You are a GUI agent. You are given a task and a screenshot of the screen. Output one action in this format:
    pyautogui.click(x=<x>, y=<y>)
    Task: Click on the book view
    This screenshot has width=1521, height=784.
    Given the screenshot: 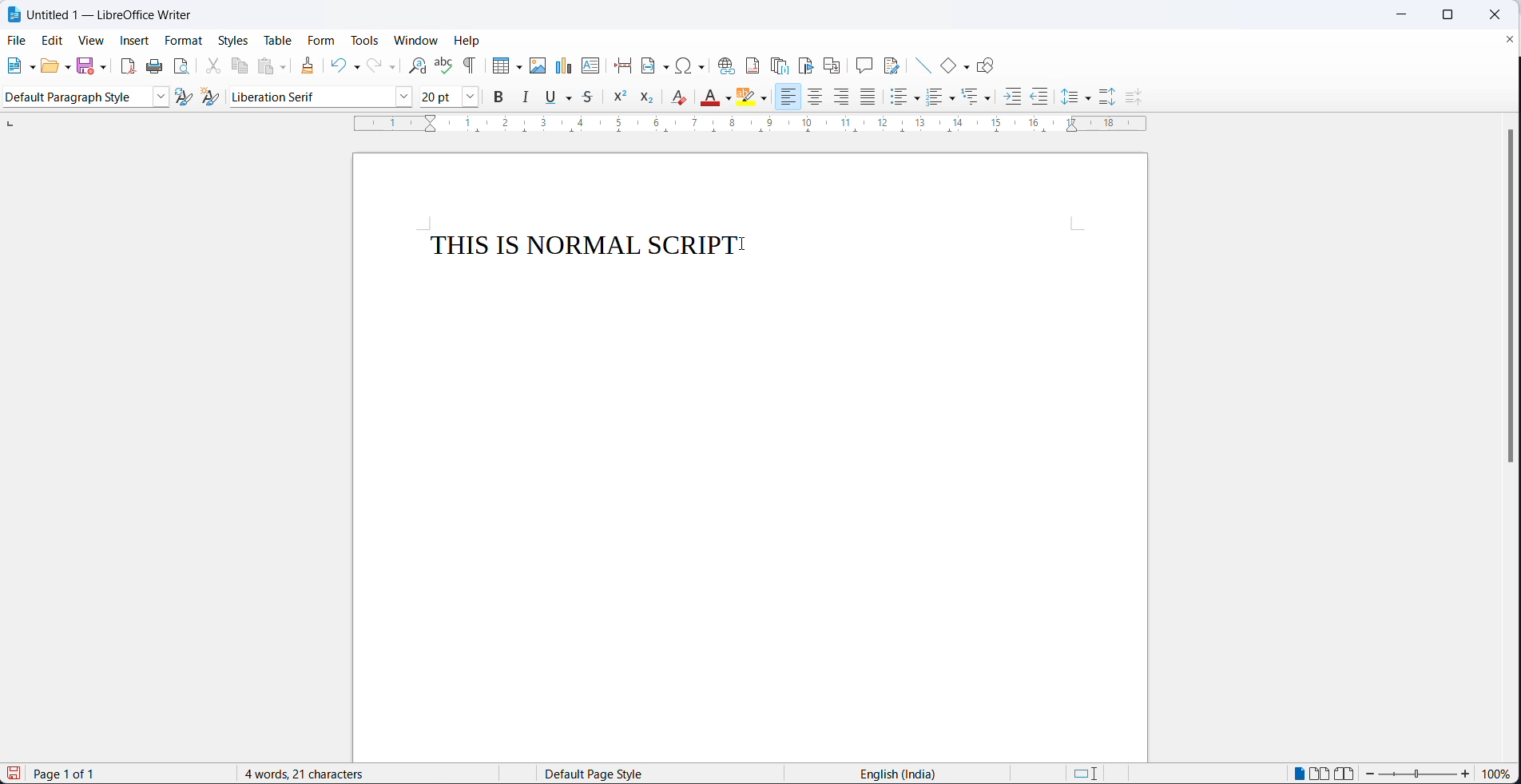 What is the action you would take?
    pyautogui.click(x=1348, y=773)
    